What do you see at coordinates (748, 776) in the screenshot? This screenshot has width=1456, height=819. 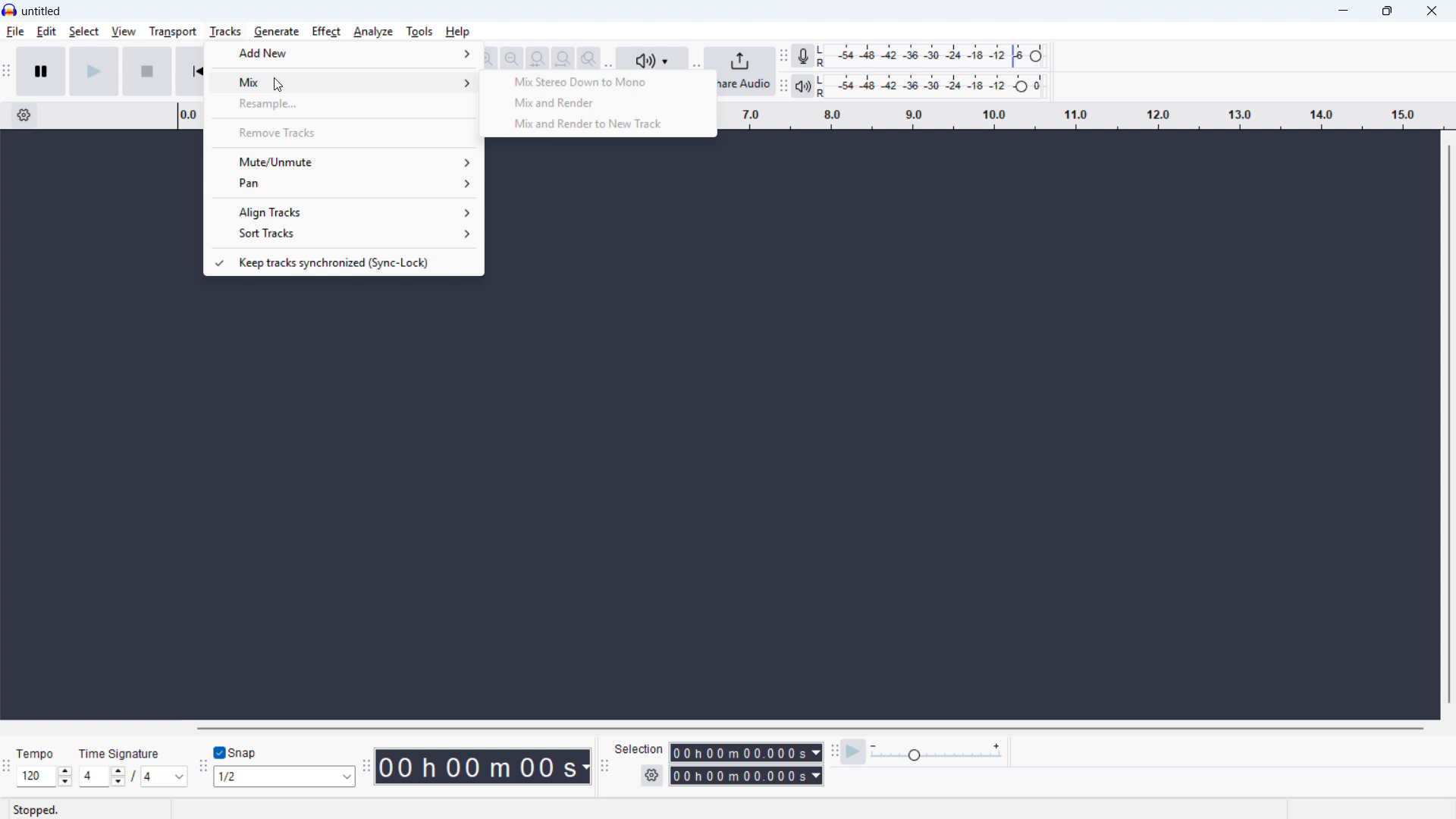 I see `Selection end time` at bounding box center [748, 776].